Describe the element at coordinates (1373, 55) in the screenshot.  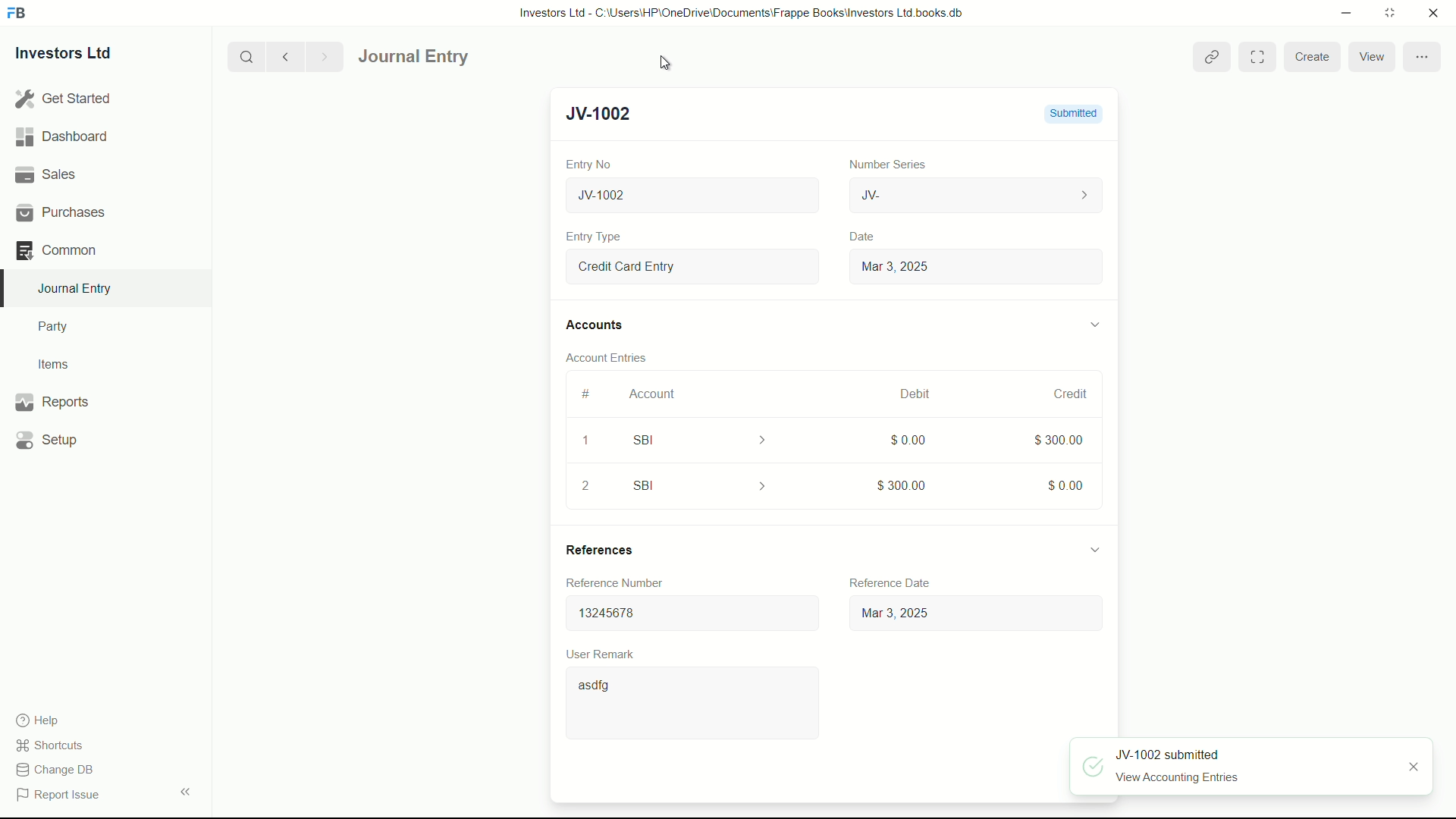
I see `view` at that location.